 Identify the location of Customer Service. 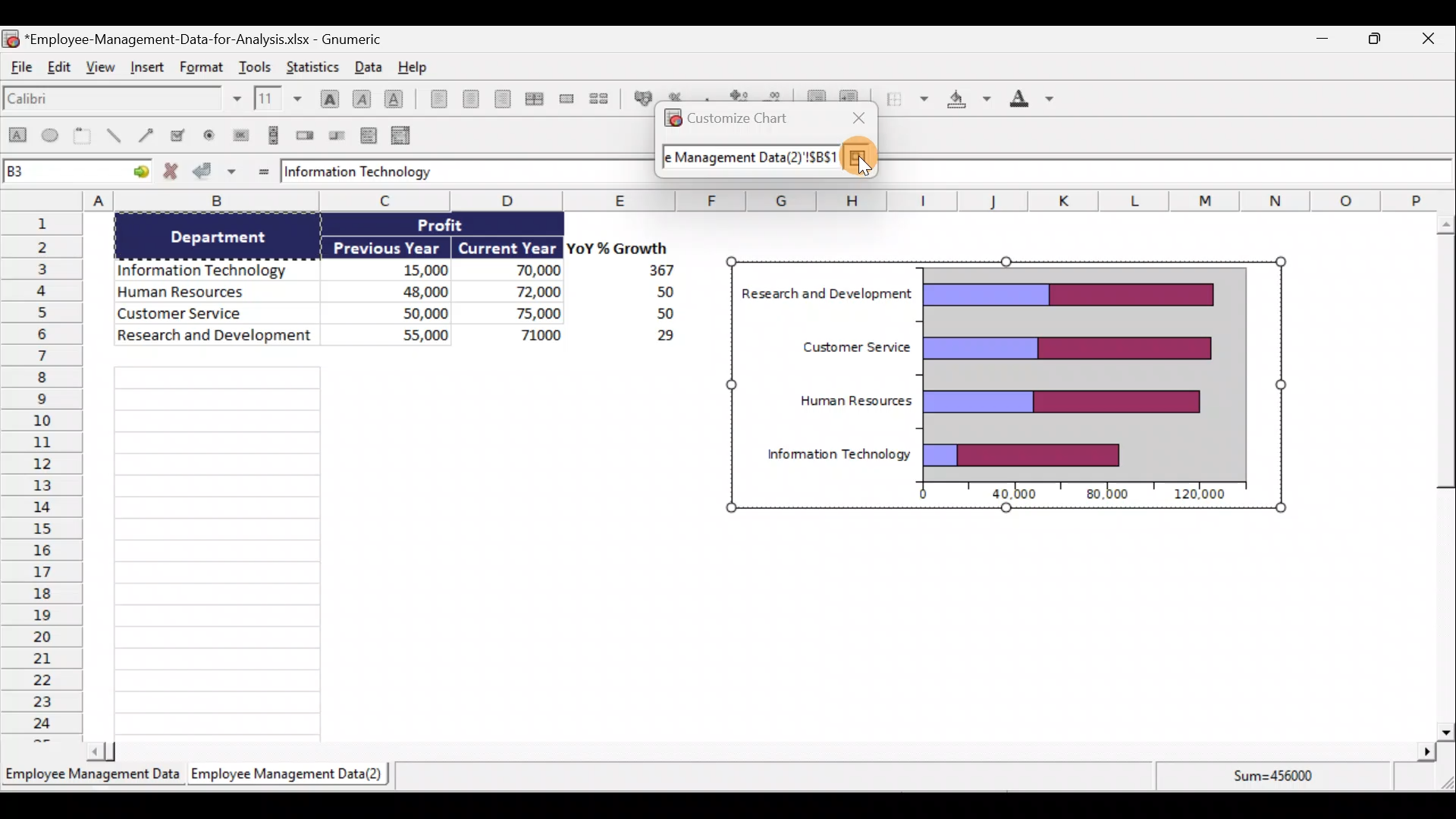
(846, 350).